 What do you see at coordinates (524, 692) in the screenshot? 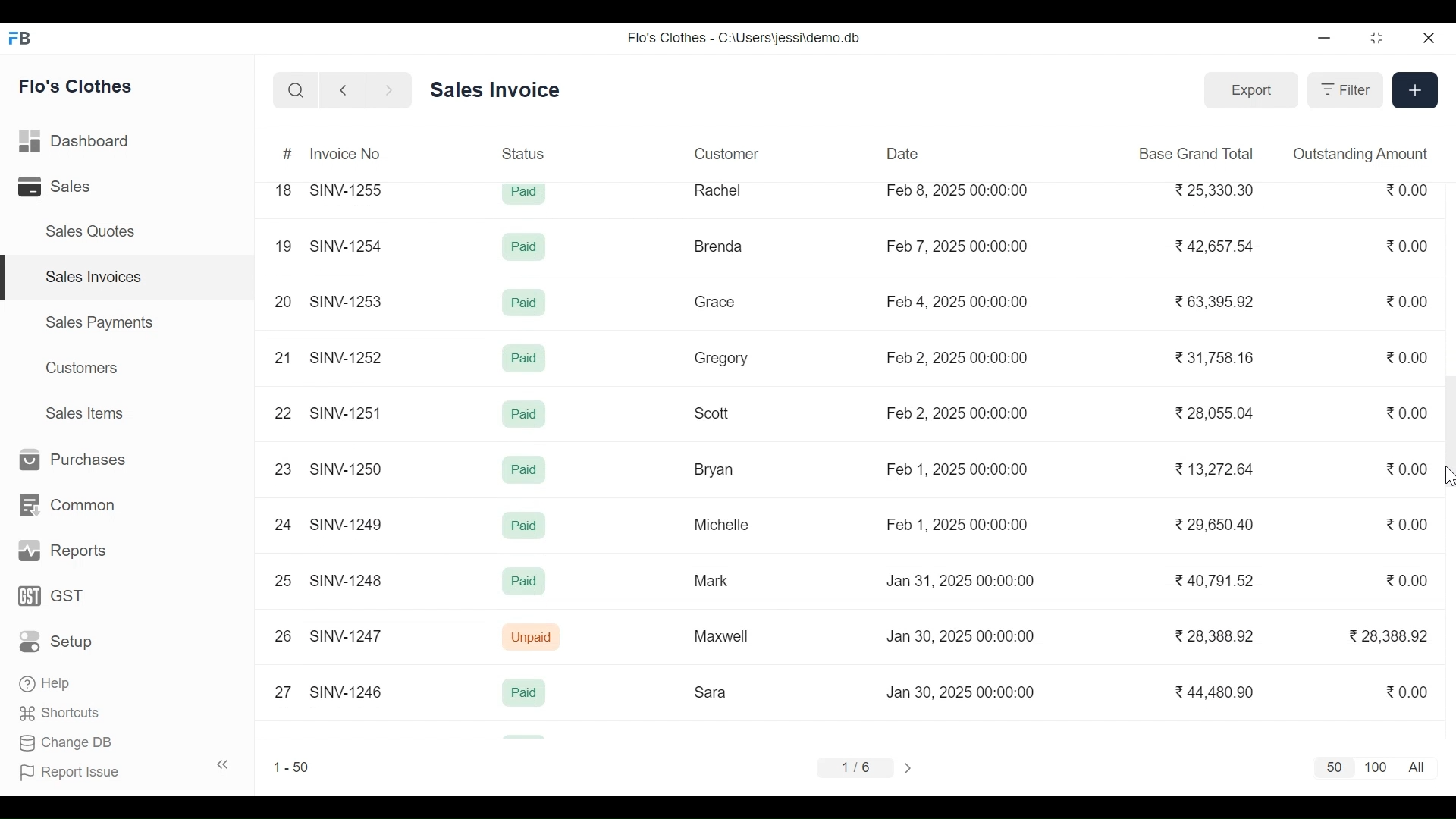
I see `Paid` at bounding box center [524, 692].